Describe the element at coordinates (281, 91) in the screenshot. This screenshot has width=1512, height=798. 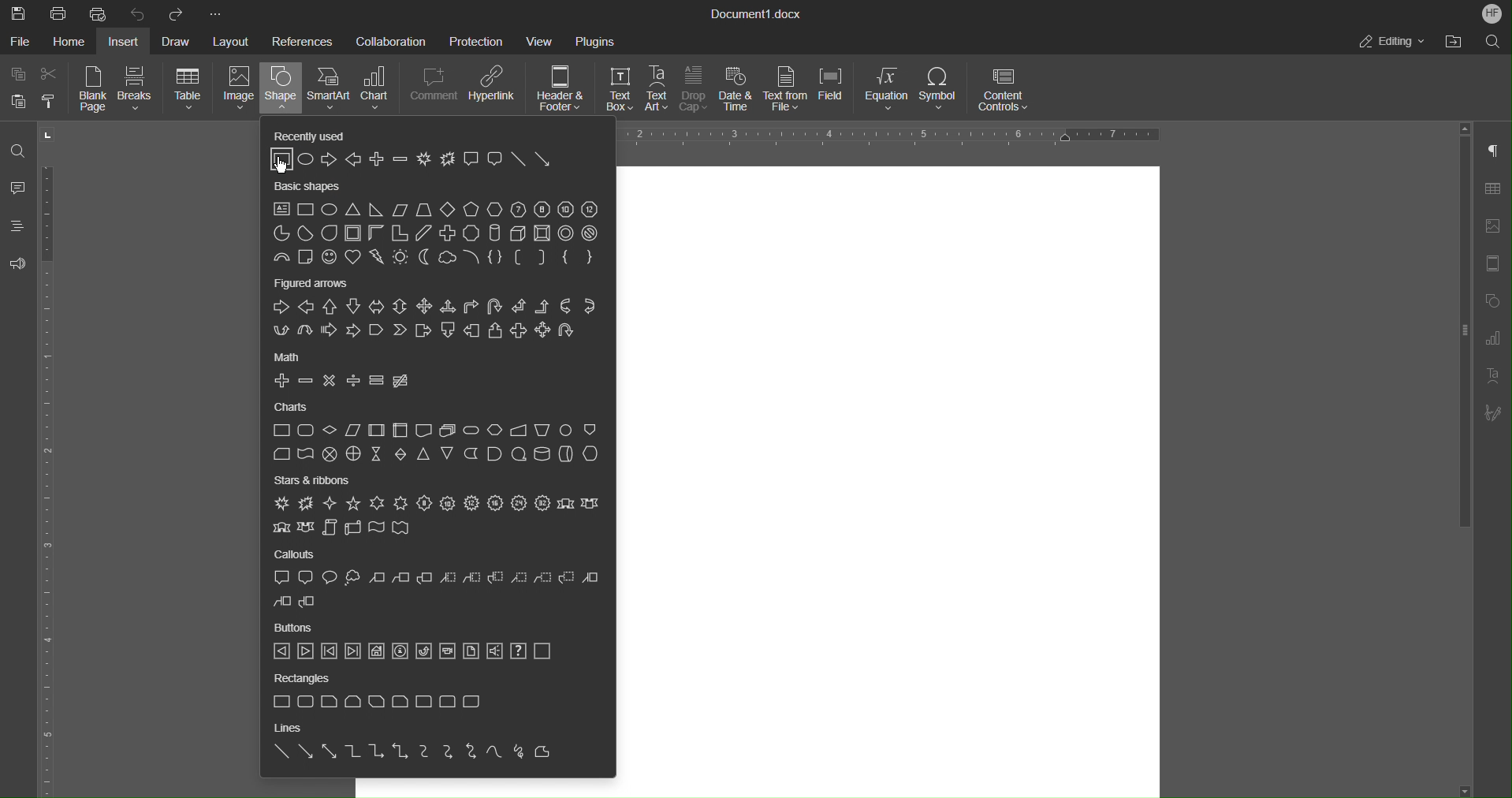
I see `Shape` at that location.